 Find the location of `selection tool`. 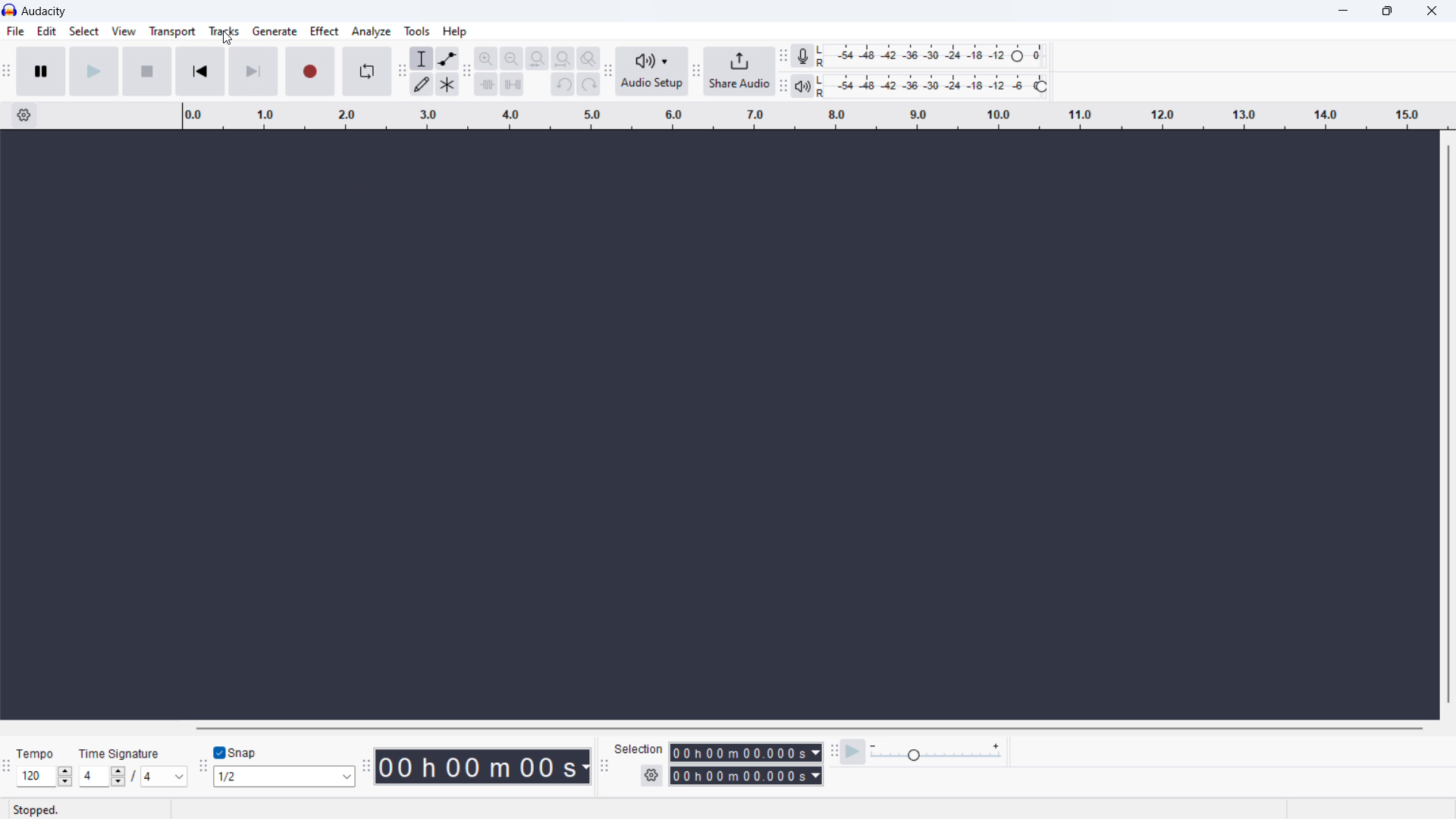

selection tool is located at coordinates (422, 58).